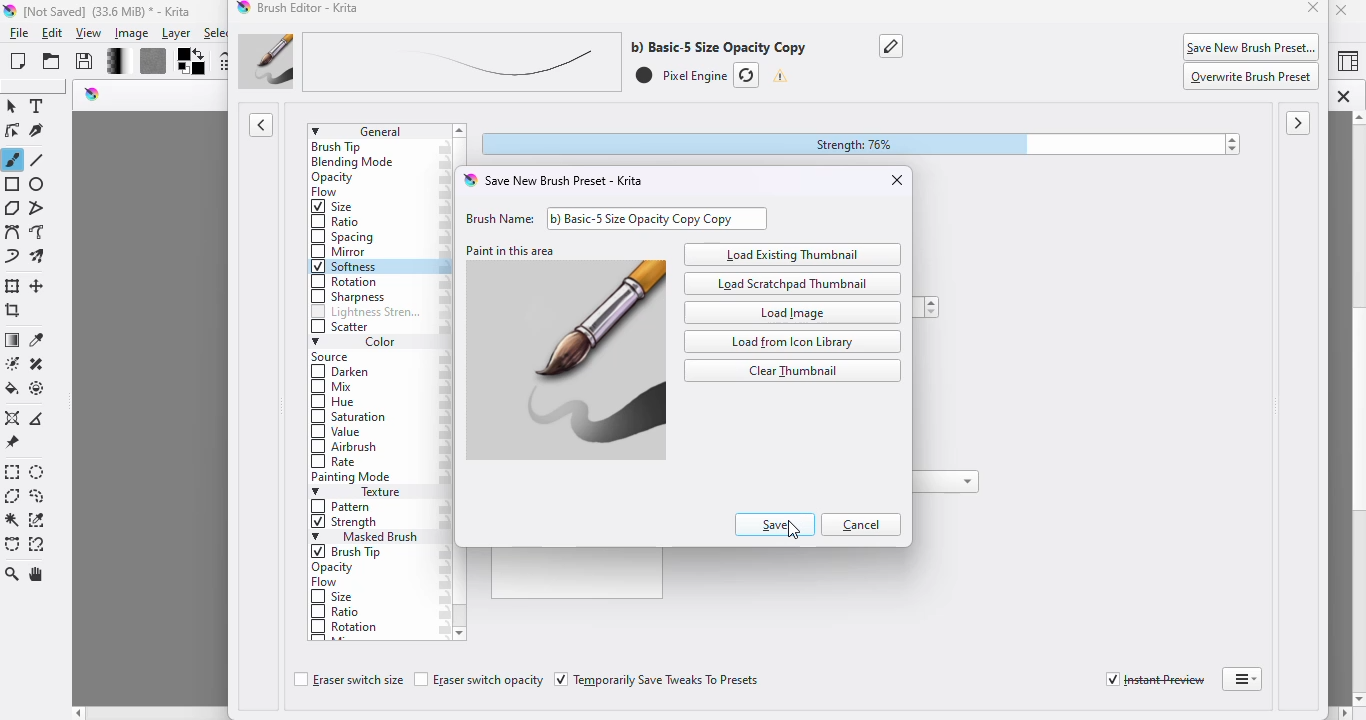 This screenshot has height=720, width=1366. What do you see at coordinates (13, 472) in the screenshot?
I see `rectangular selection tool` at bounding box center [13, 472].